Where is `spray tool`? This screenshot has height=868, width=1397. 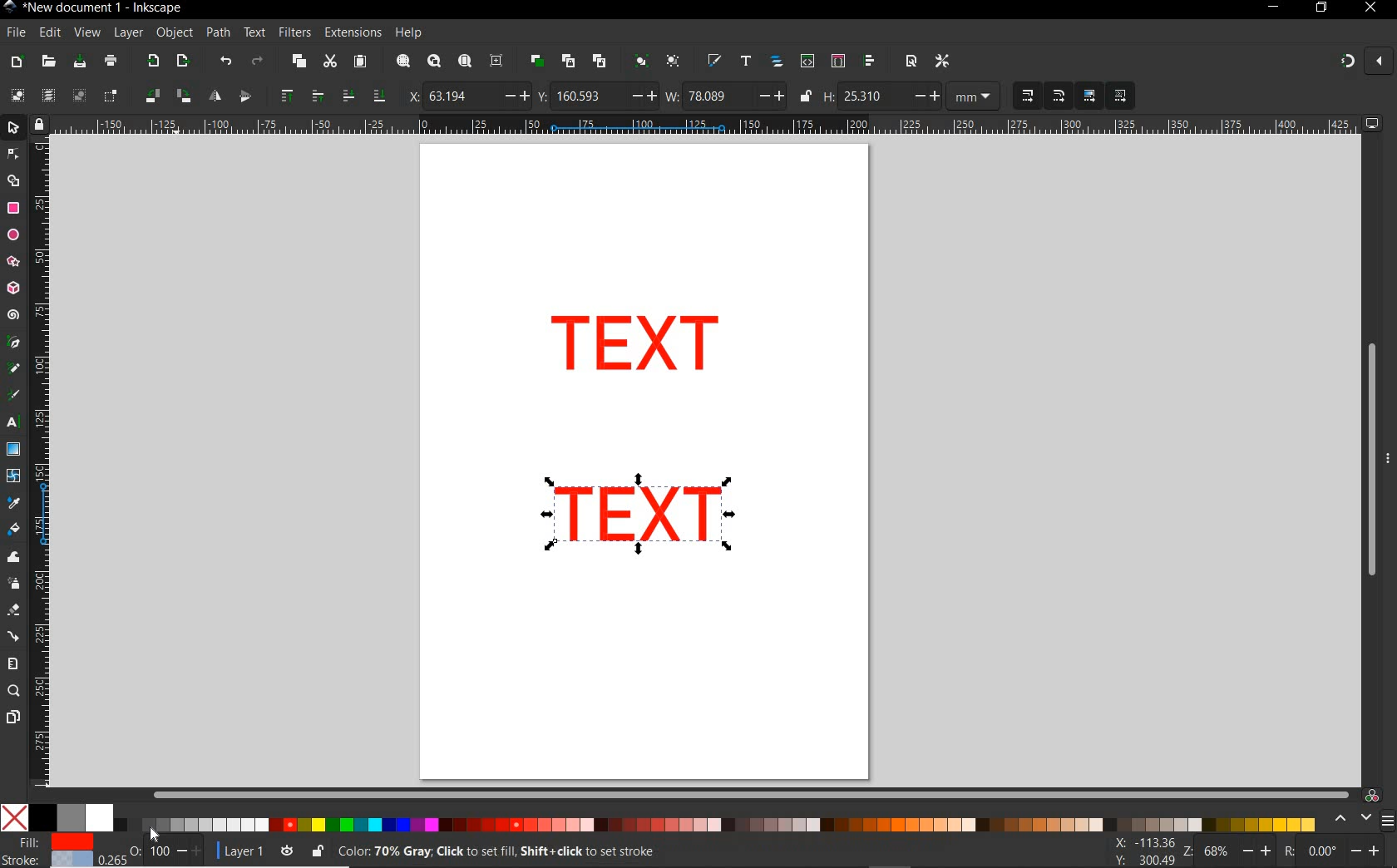
spray tool is located at coordinates (13, 583).